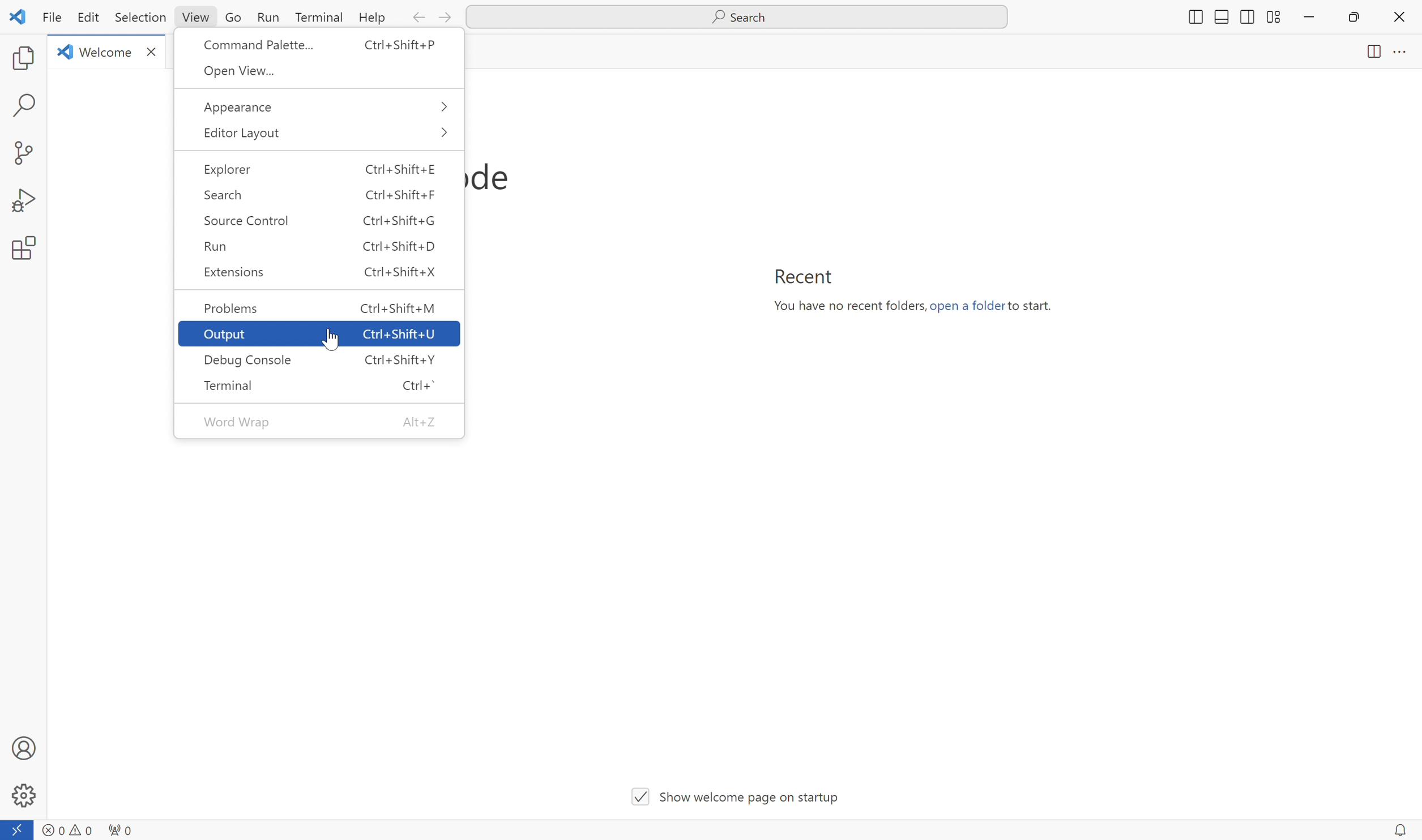 The image size is (1422, 840). I want to click on command palette, so click(313, 46).